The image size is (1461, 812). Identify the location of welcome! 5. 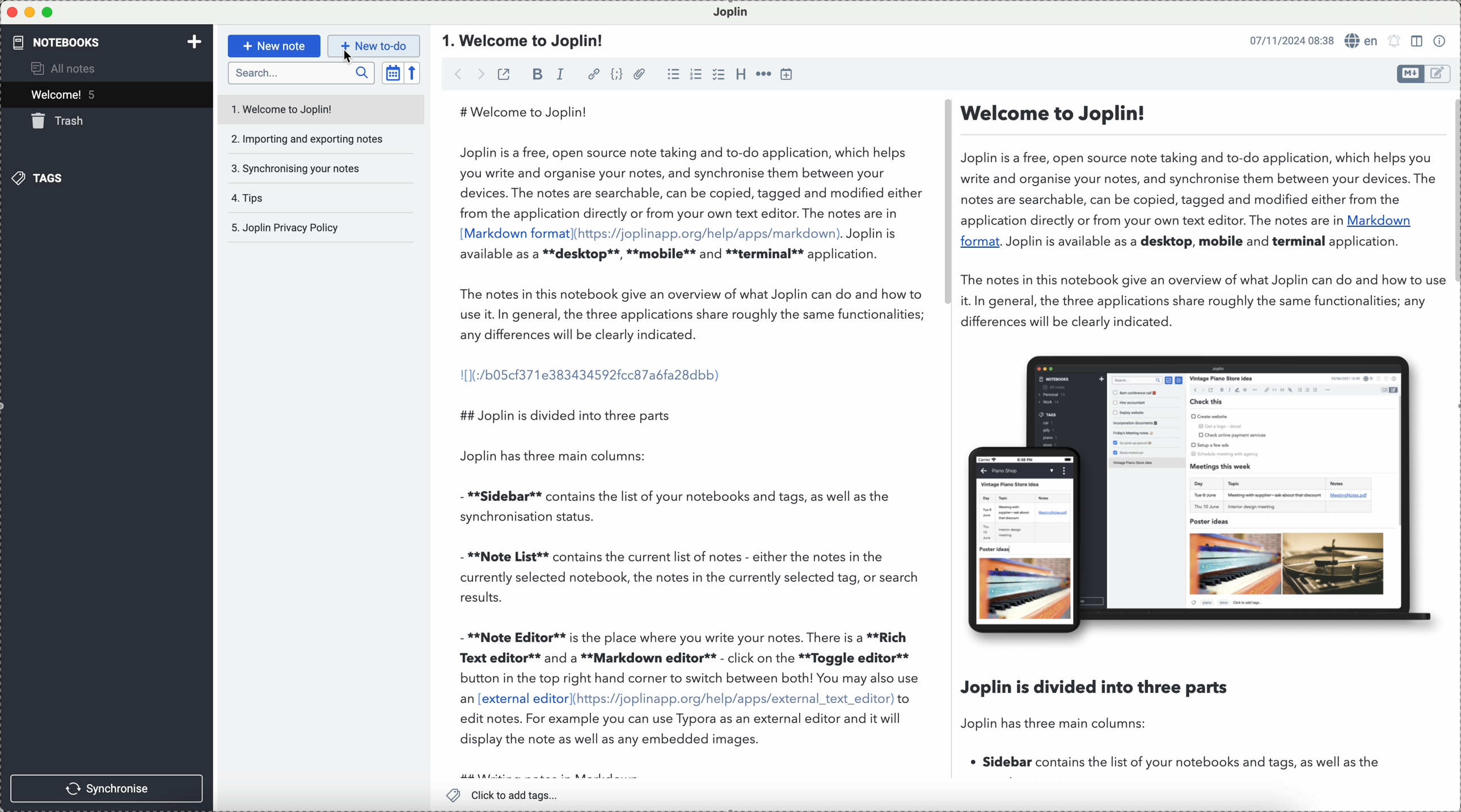
(67, 94).